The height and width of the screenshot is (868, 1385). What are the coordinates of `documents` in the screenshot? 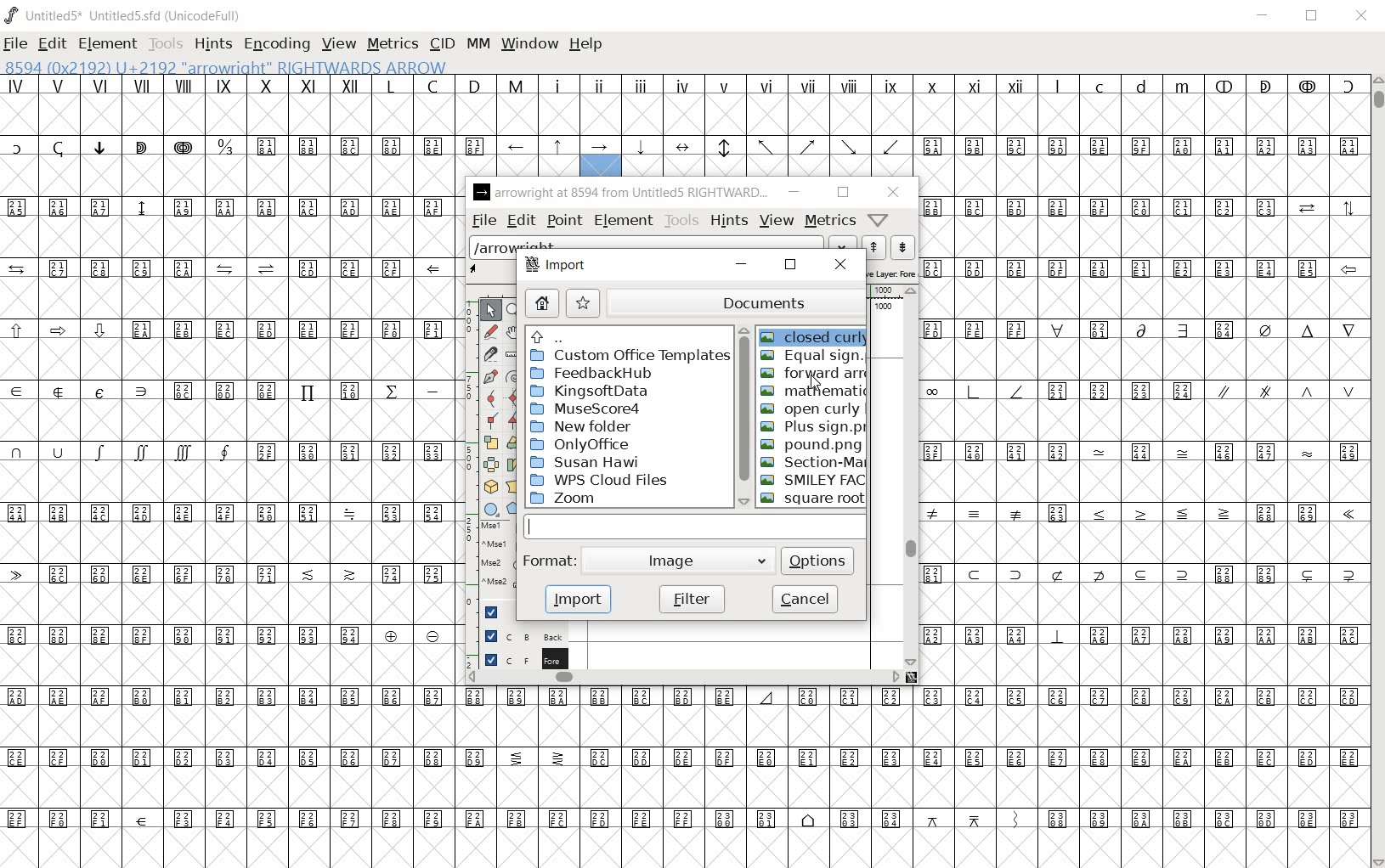 It's located at (738, 300).